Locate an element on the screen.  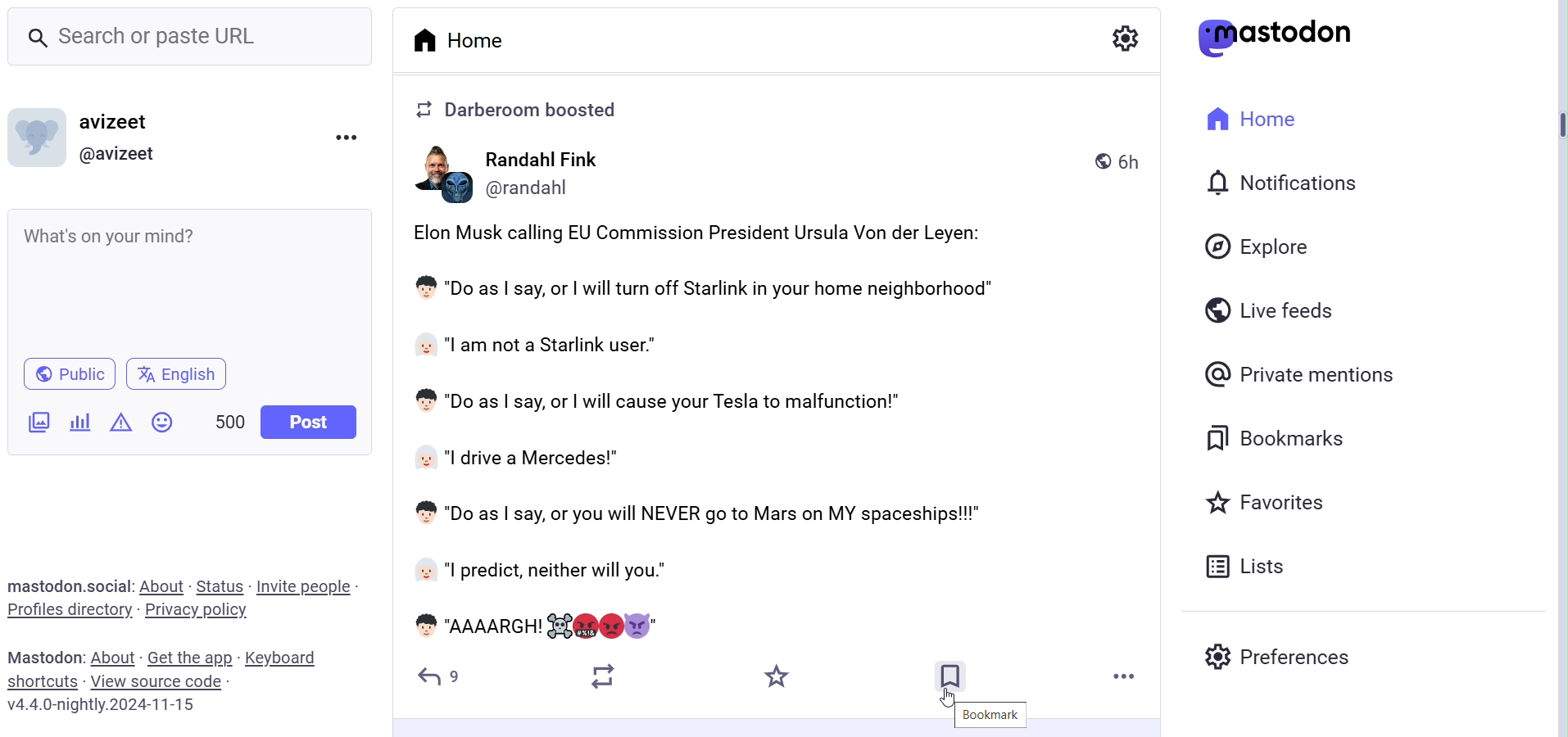
Starred or Favorites is located at coordinates (780, 676).